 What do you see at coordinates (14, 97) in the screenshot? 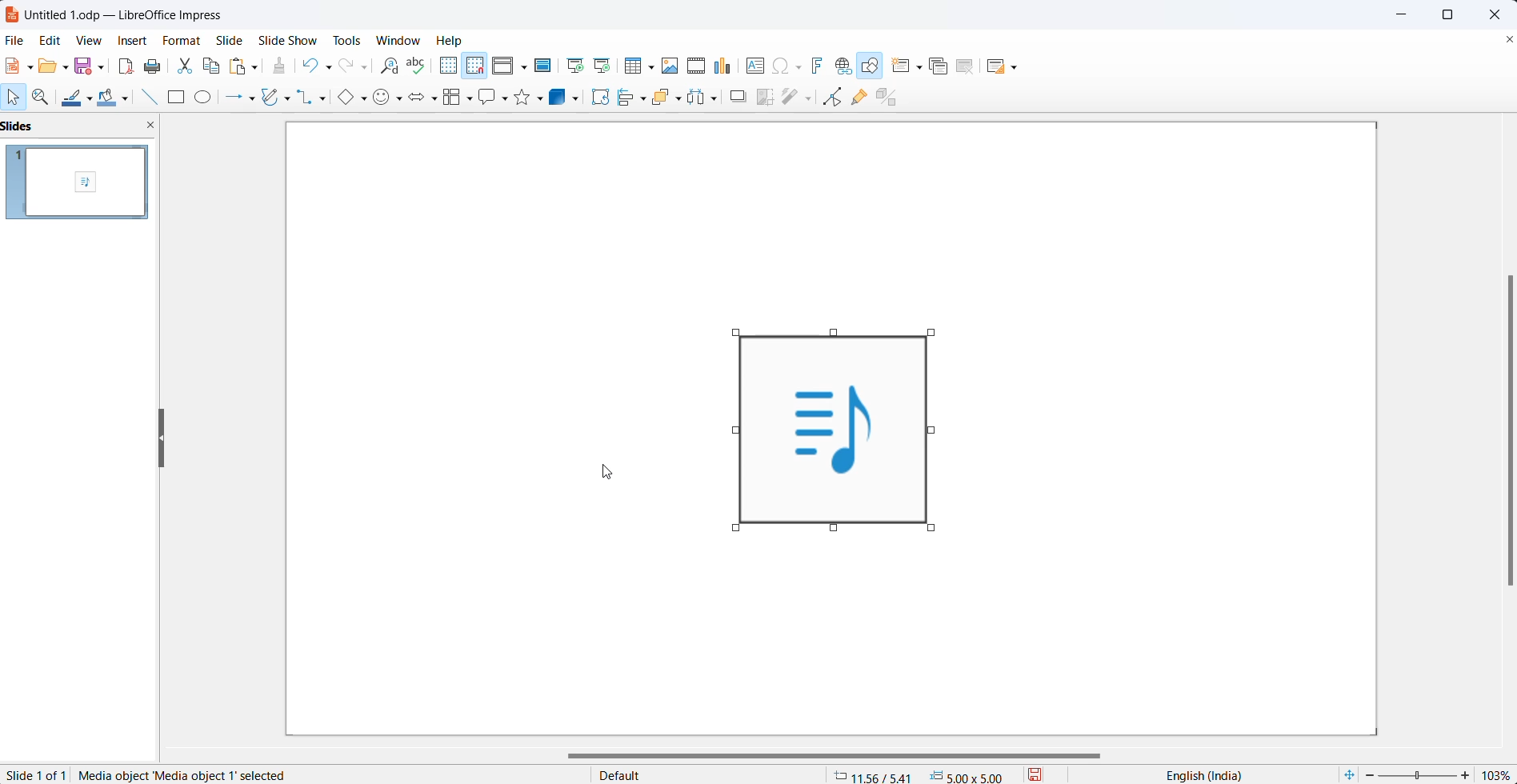
I see `select` at bounding box center [14, 97].